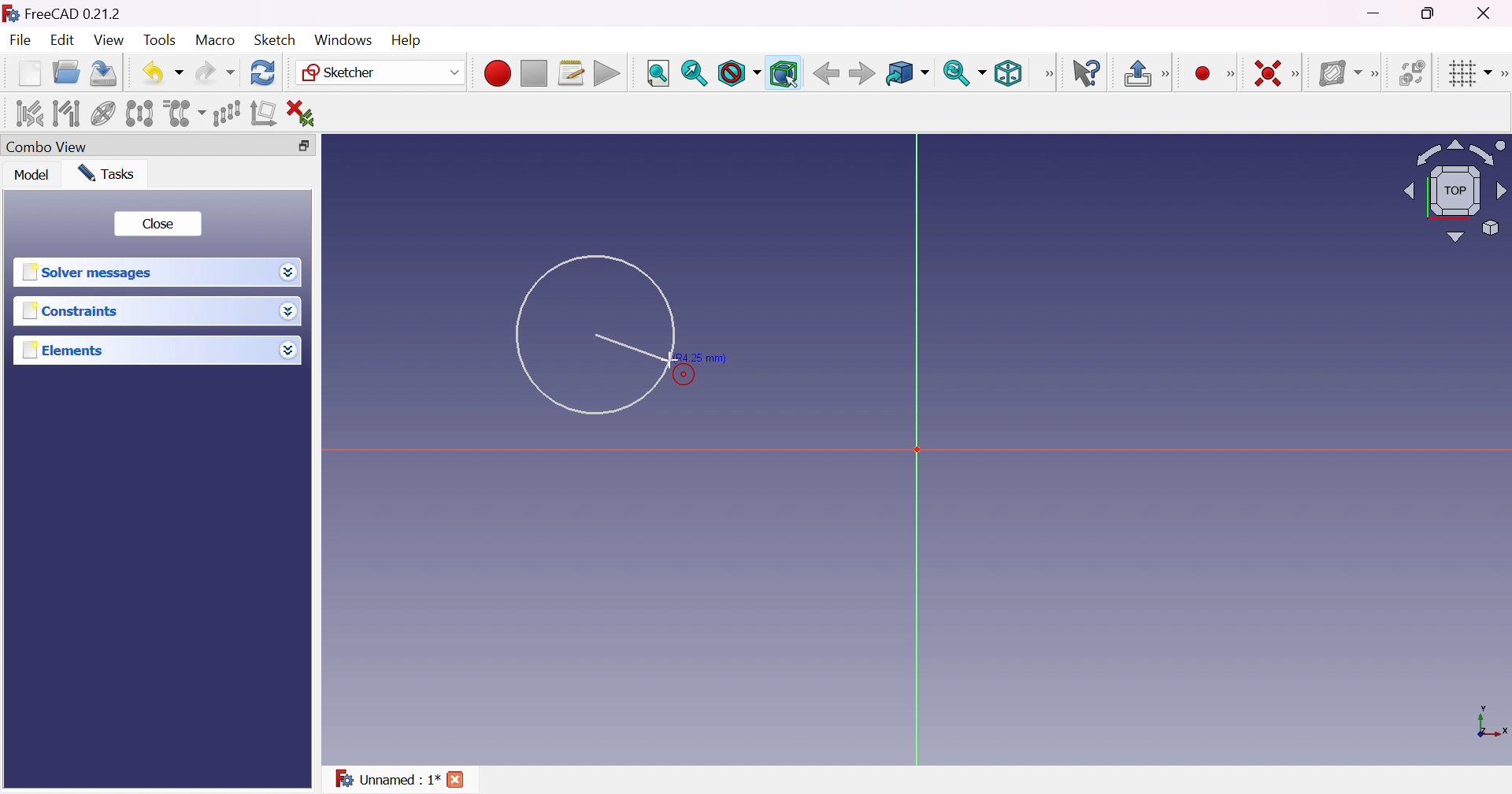 The image size is (1512, 794). I want to click on Go to linked object, so click(906, 74).